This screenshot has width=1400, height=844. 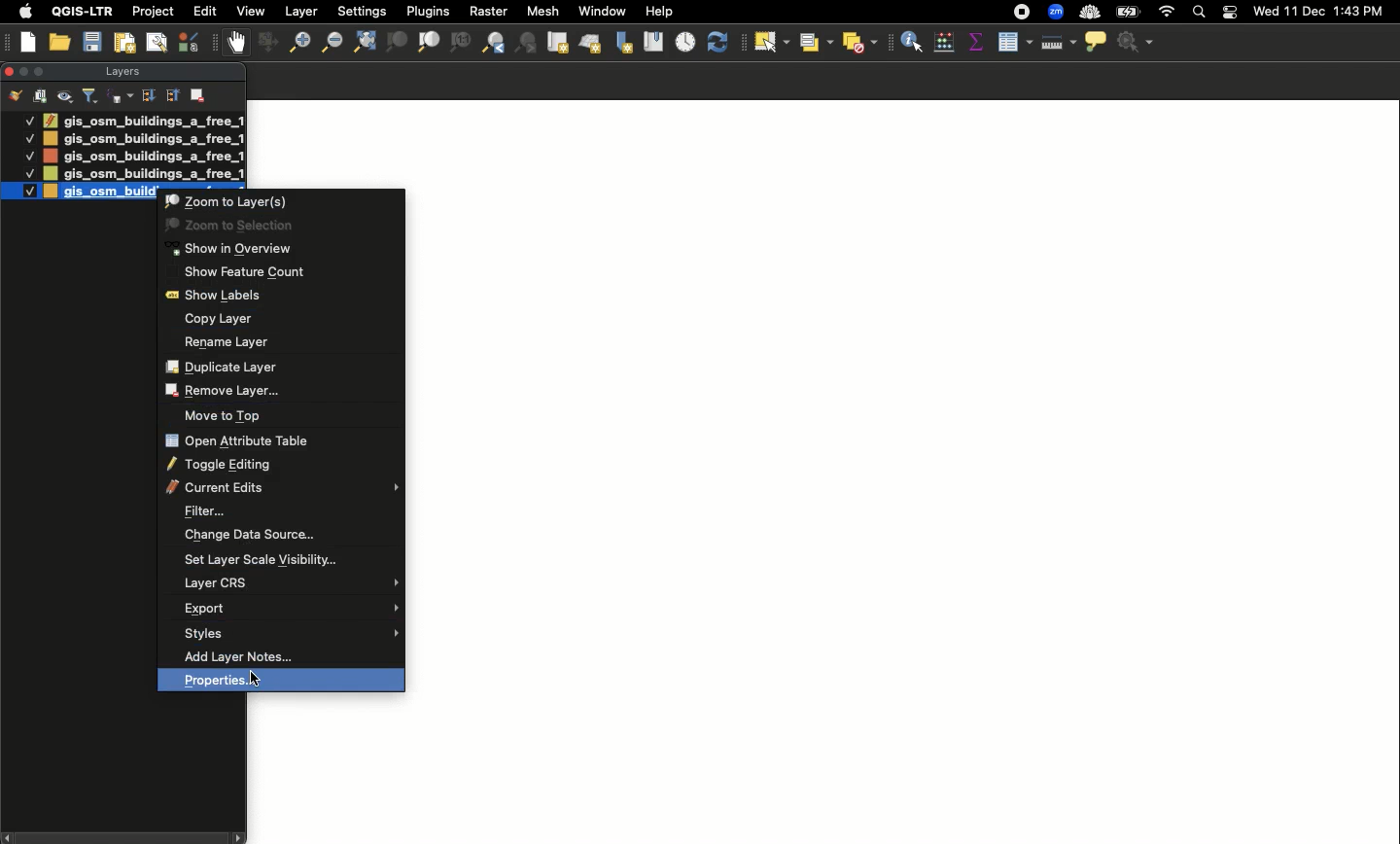 I want to click on Checked, so click(x=28, y=120).